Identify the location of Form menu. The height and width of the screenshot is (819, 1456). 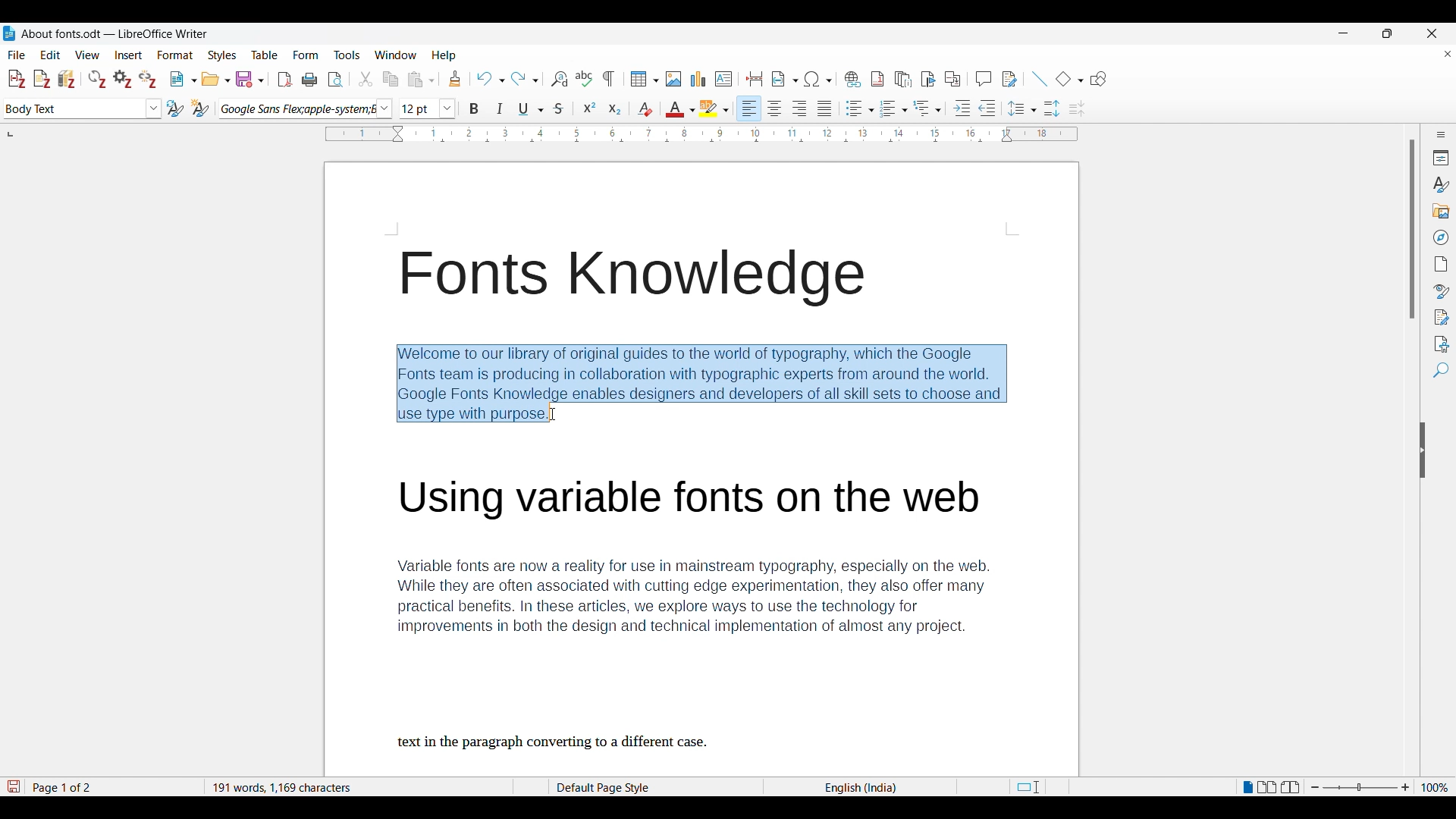
(306, 55).